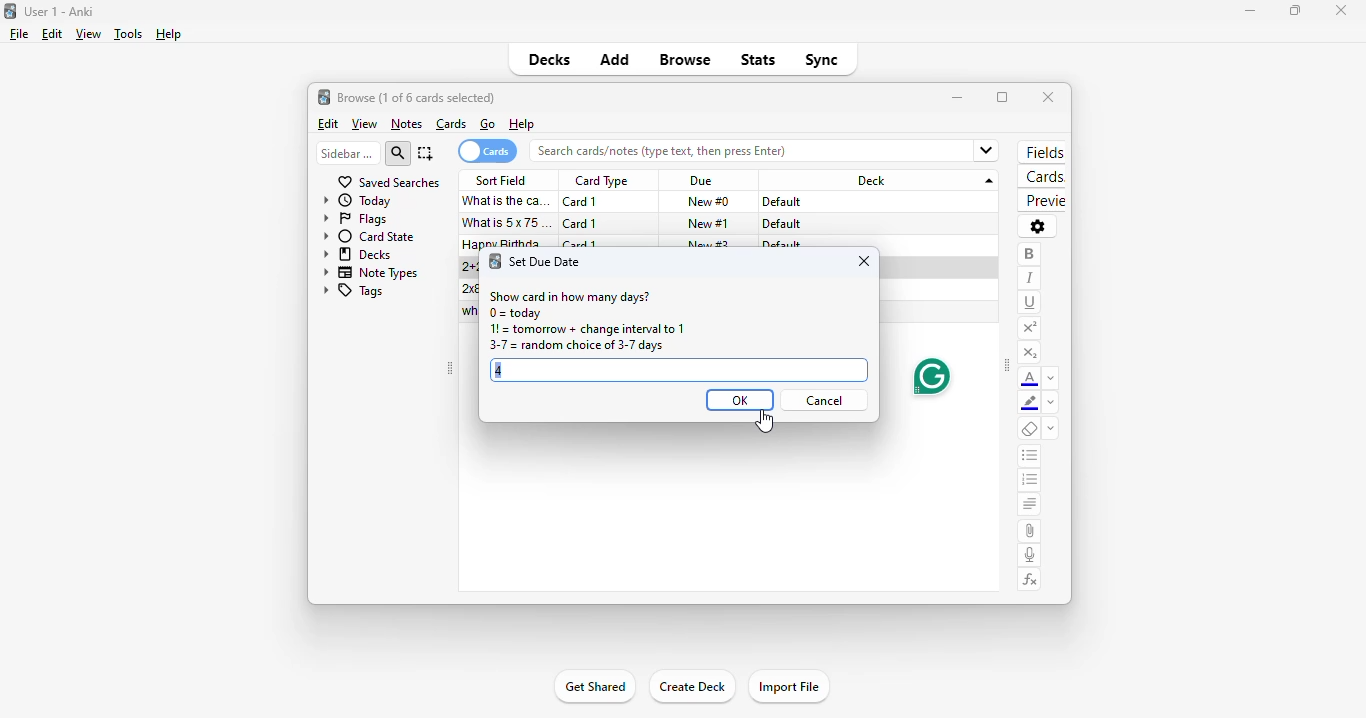  What do you see at coordinates (601, 181) in the screenshot?
I see `card type` at bounding box center [601, 181].